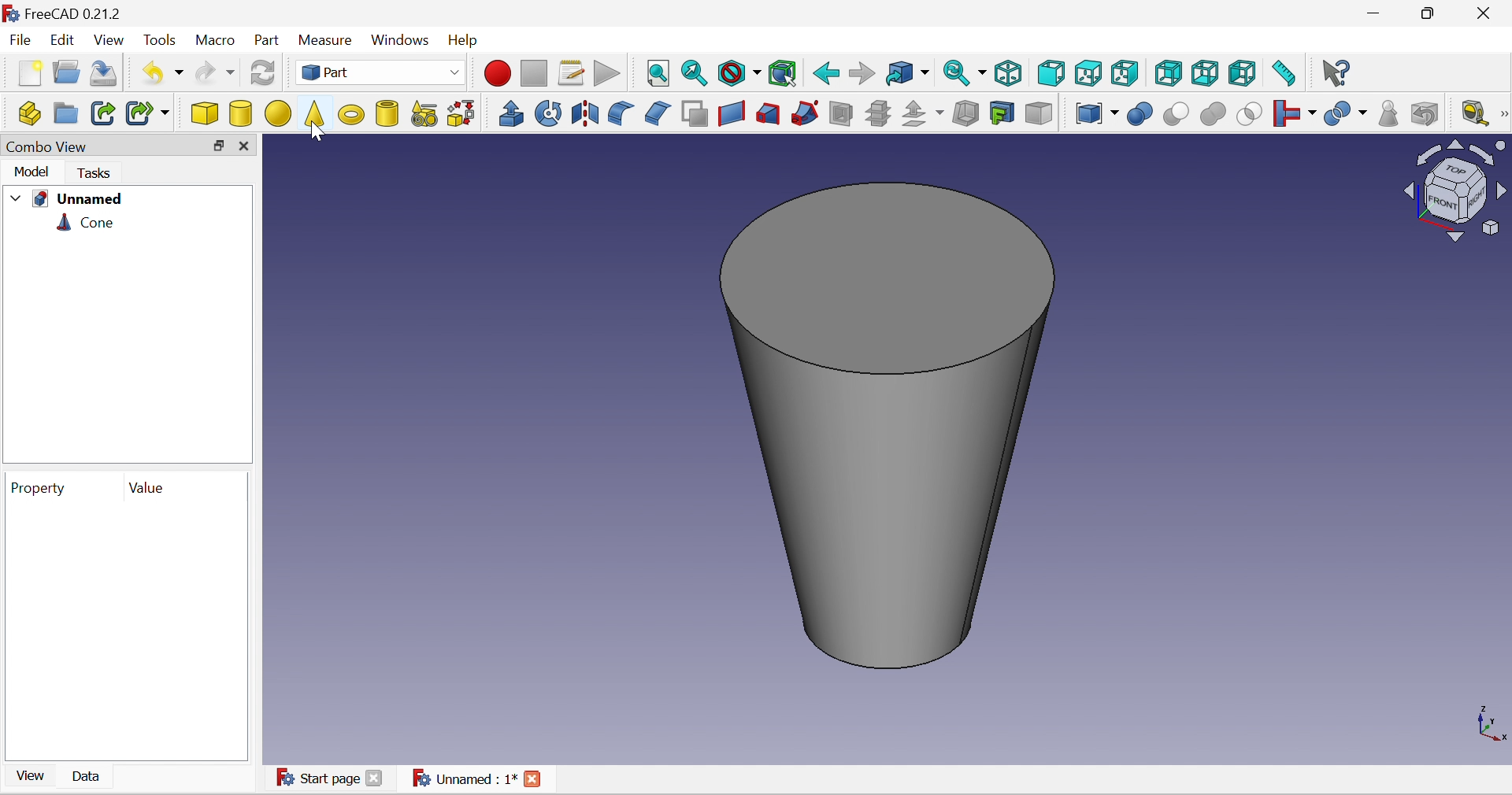 This screenshot has width=1512, height=795. Describe the element at coordinates (64, 42) in the screenshot. I see `Edit` at that location.